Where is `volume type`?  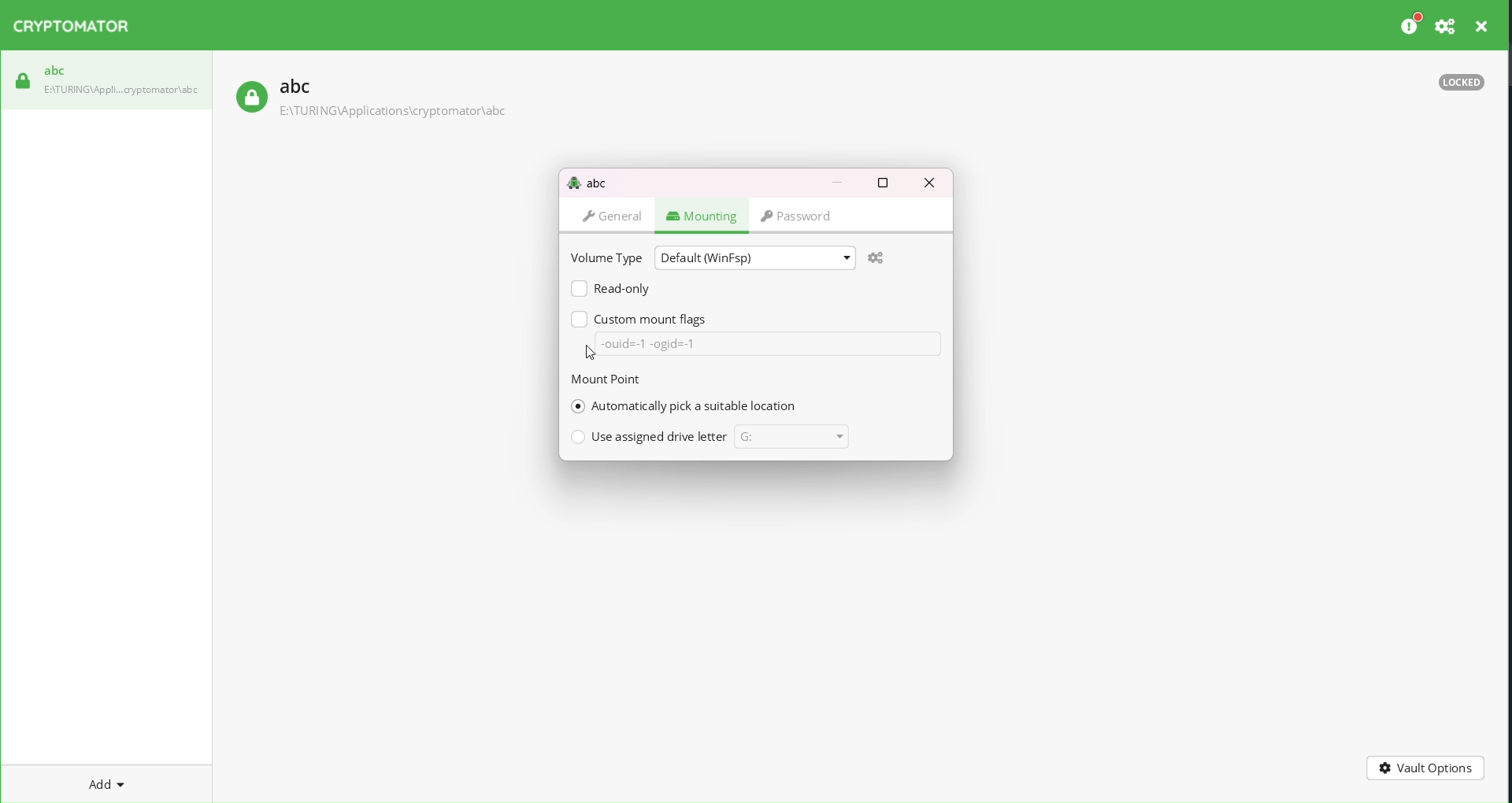
volume type is located at coordinates (605, 257).